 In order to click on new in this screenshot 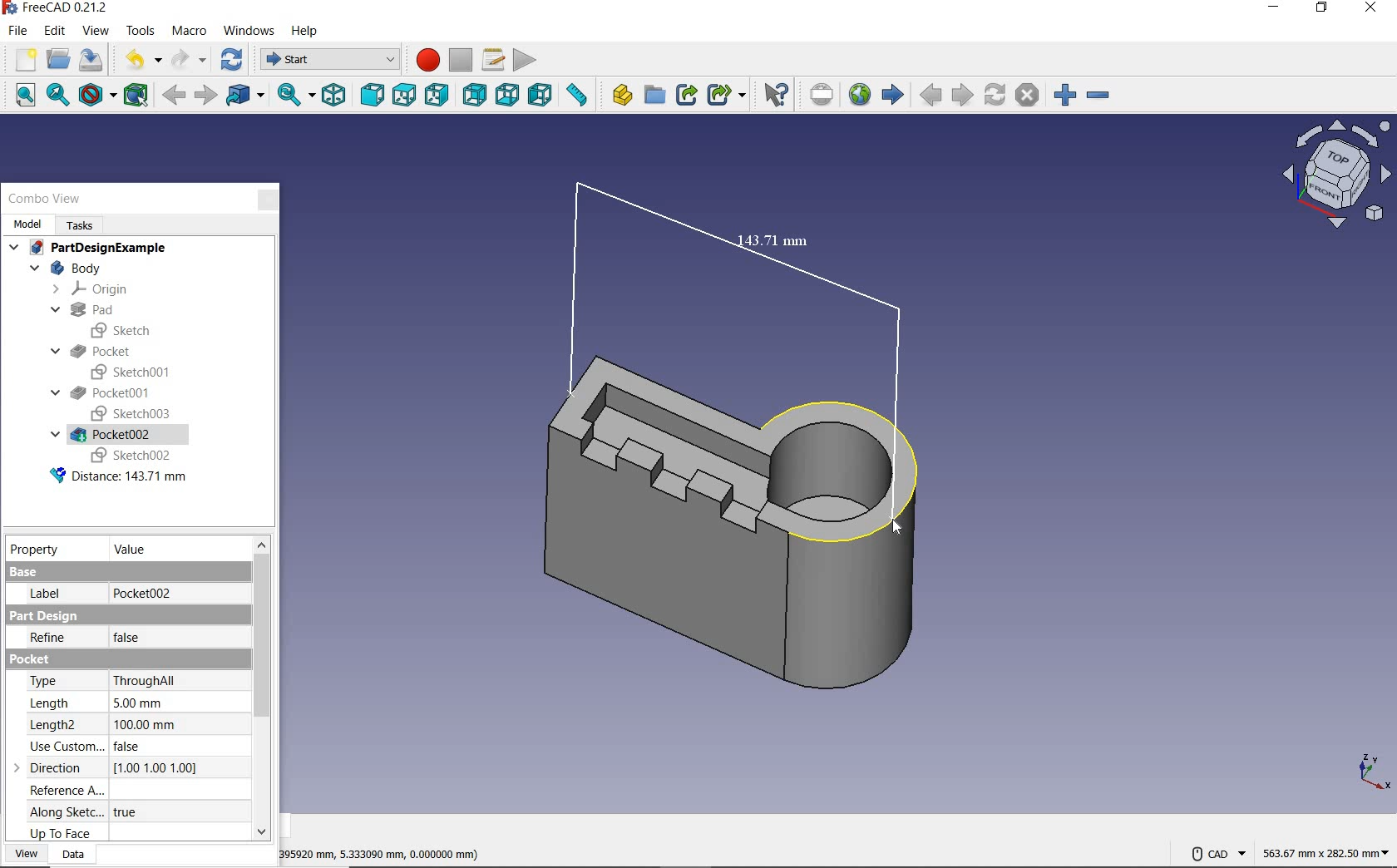, I will do `click(22, 60)`.